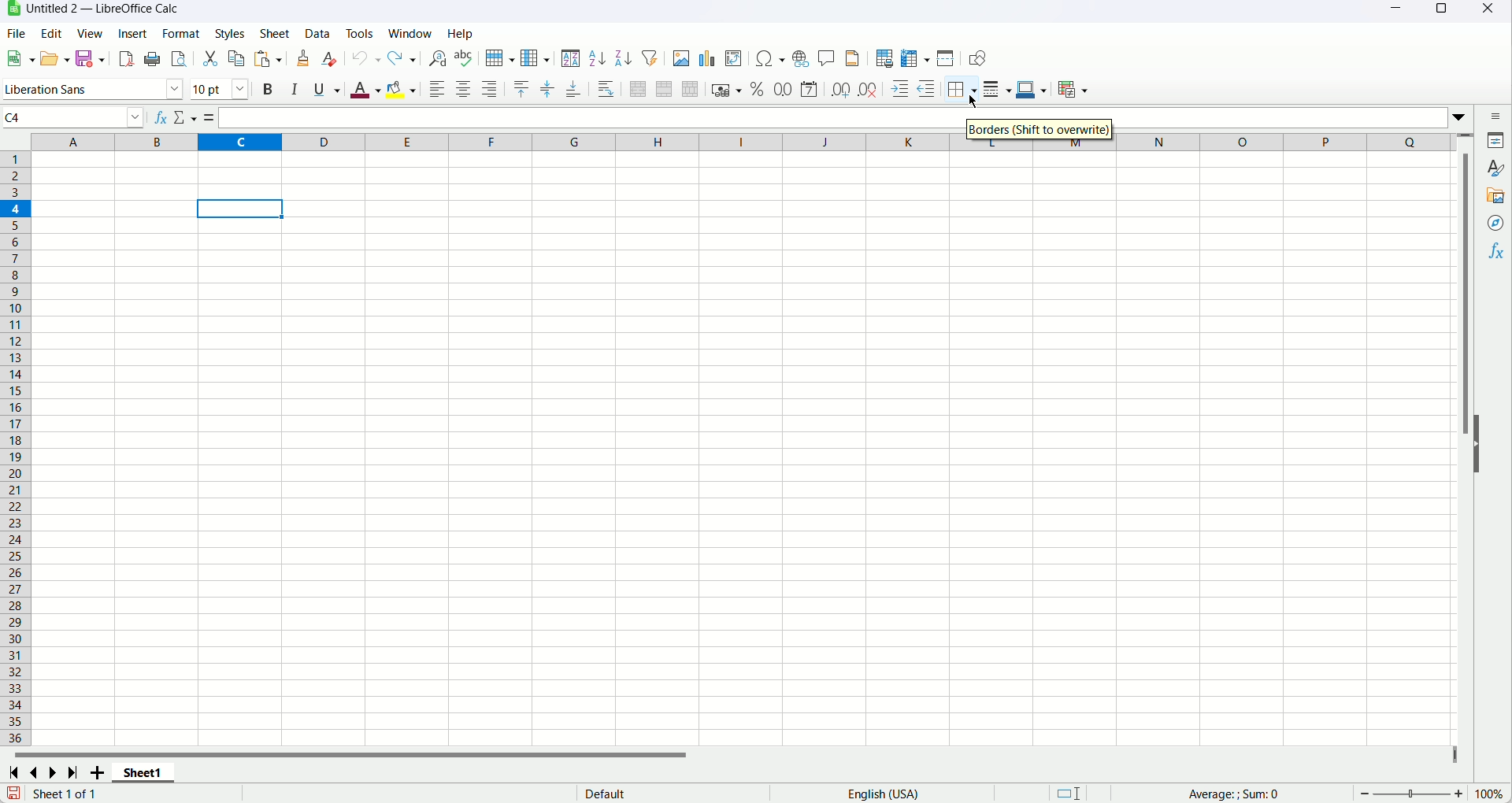 Image resolution: width=1512 pixels, height=803 pixels. What do you see at coordinates (1410, 794) in the screenshot?
I see `zoom` at bounding box center [1410, 794].